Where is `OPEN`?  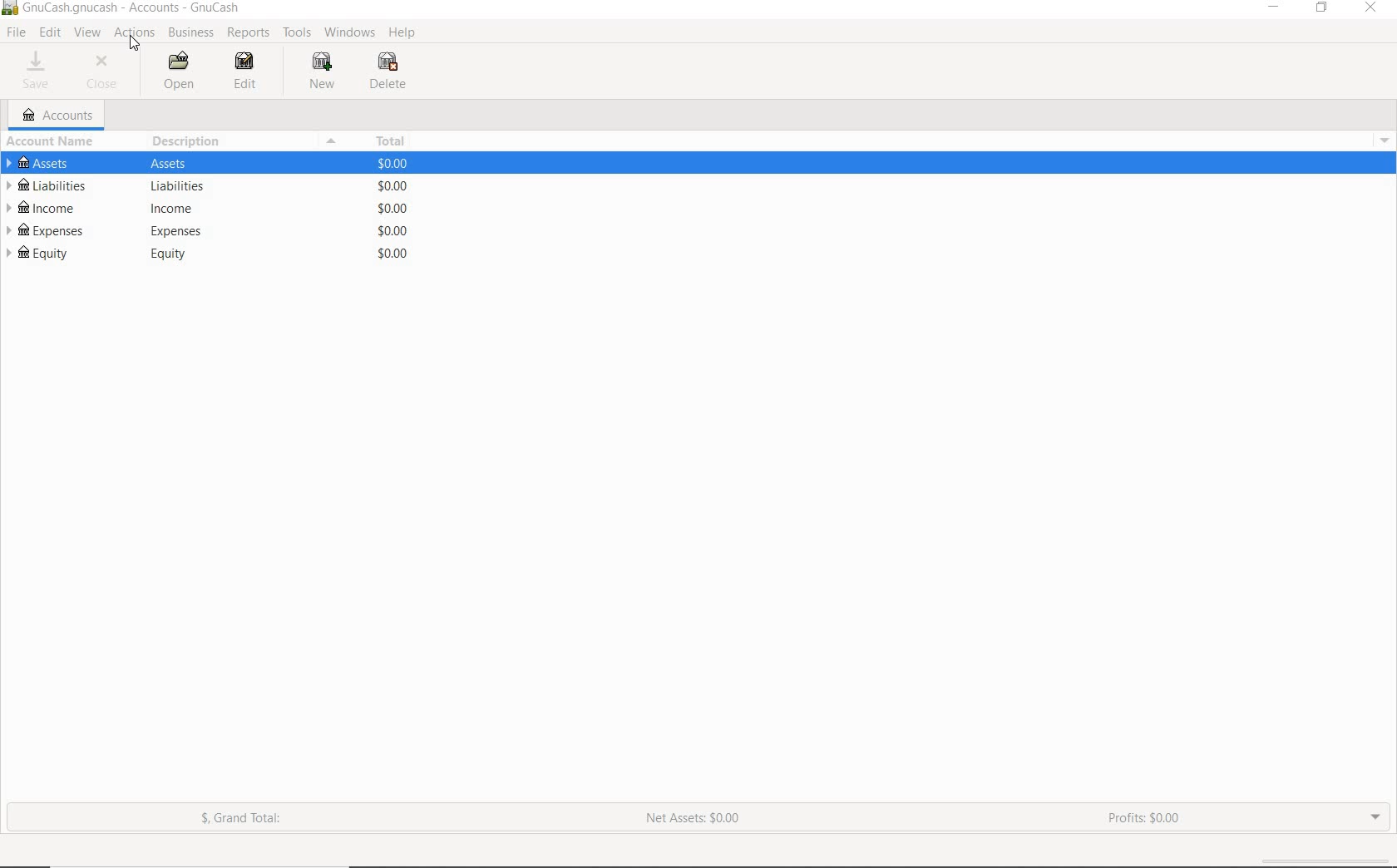 OPEN is located at coordinates (182, 73).